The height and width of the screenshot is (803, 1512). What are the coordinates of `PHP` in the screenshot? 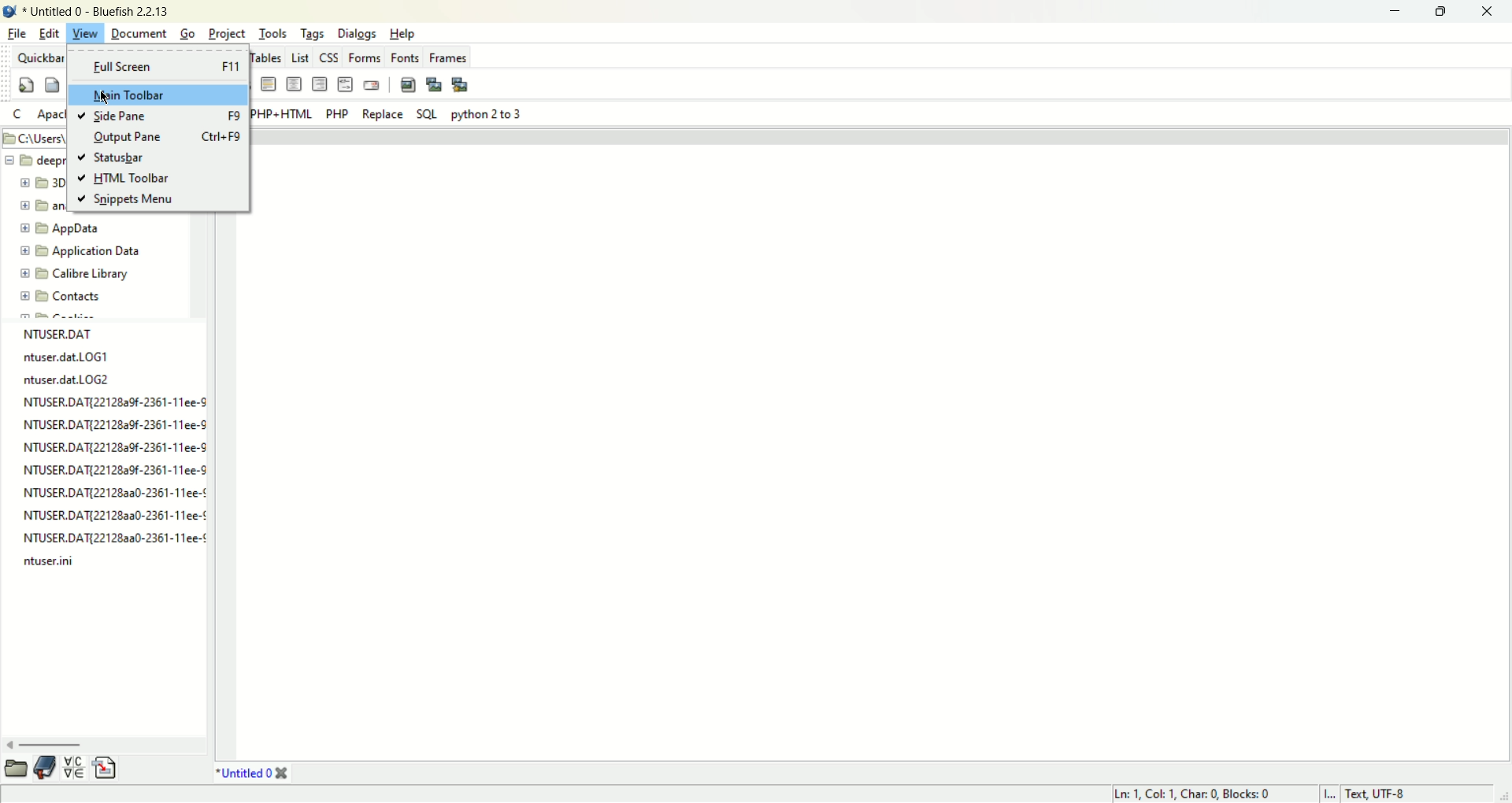 It's located at (337, 115).